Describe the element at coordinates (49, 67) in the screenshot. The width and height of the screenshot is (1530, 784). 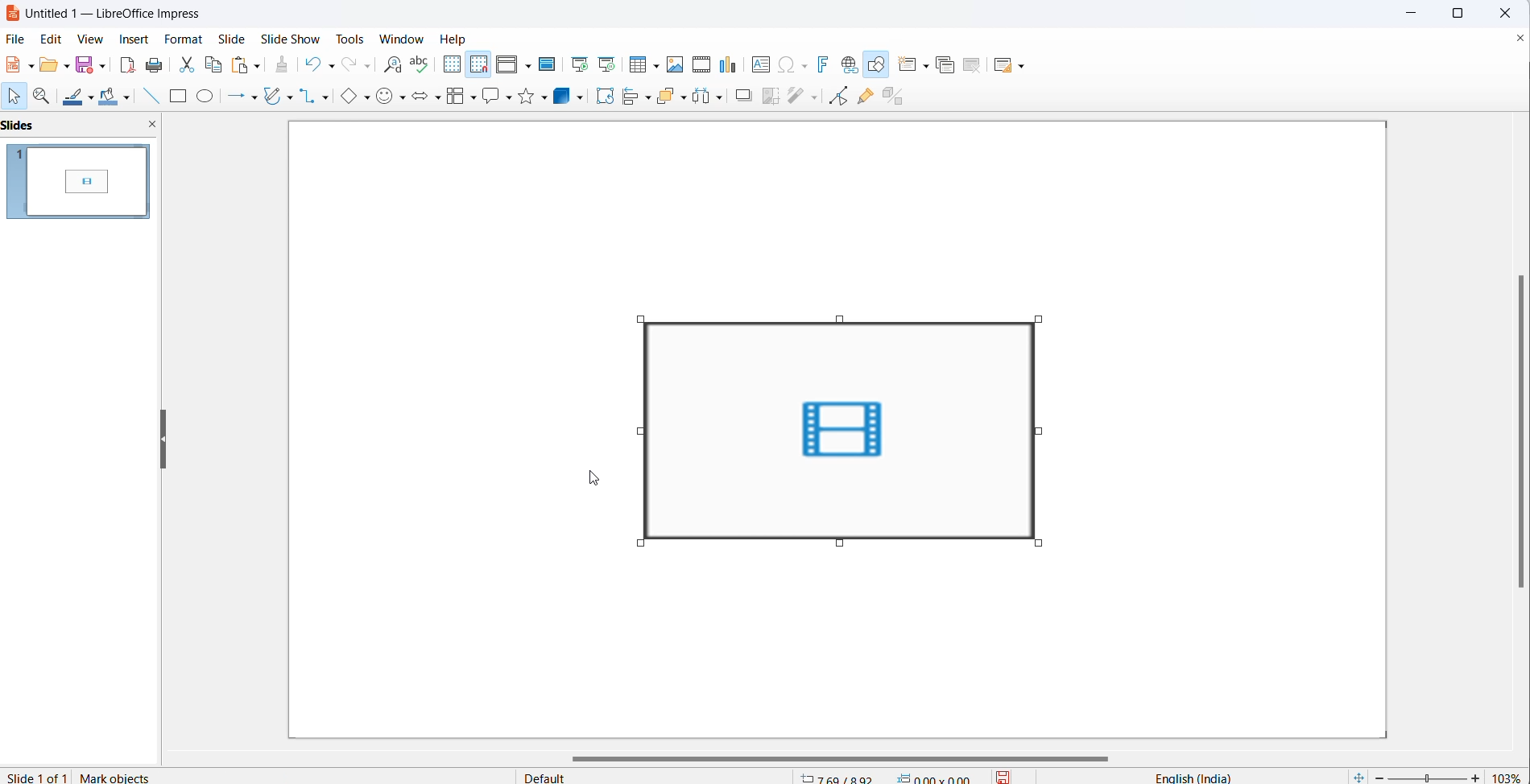
I see `open` at that location.